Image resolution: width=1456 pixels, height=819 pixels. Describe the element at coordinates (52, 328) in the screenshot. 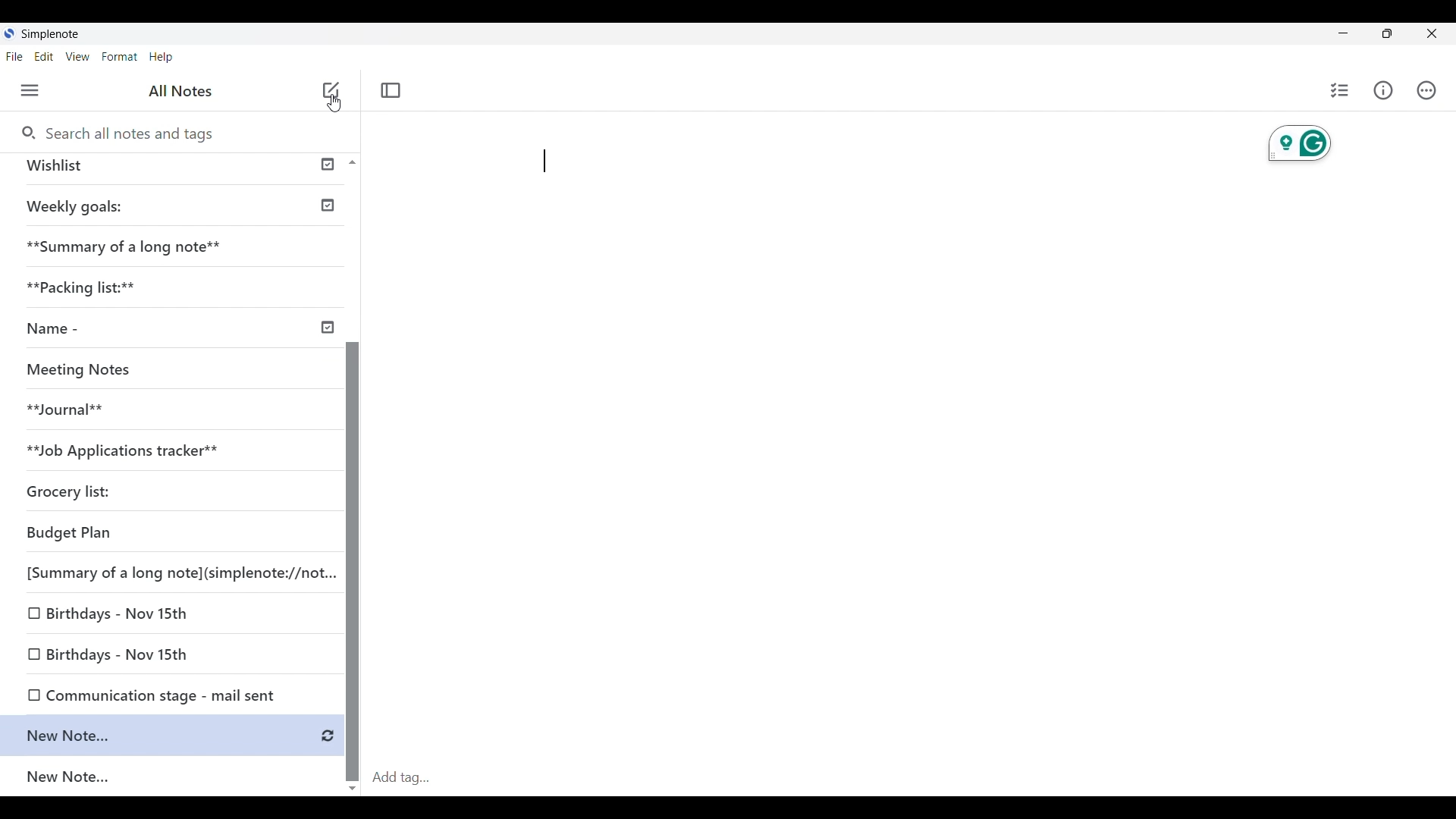

I see `Name -` at that location.